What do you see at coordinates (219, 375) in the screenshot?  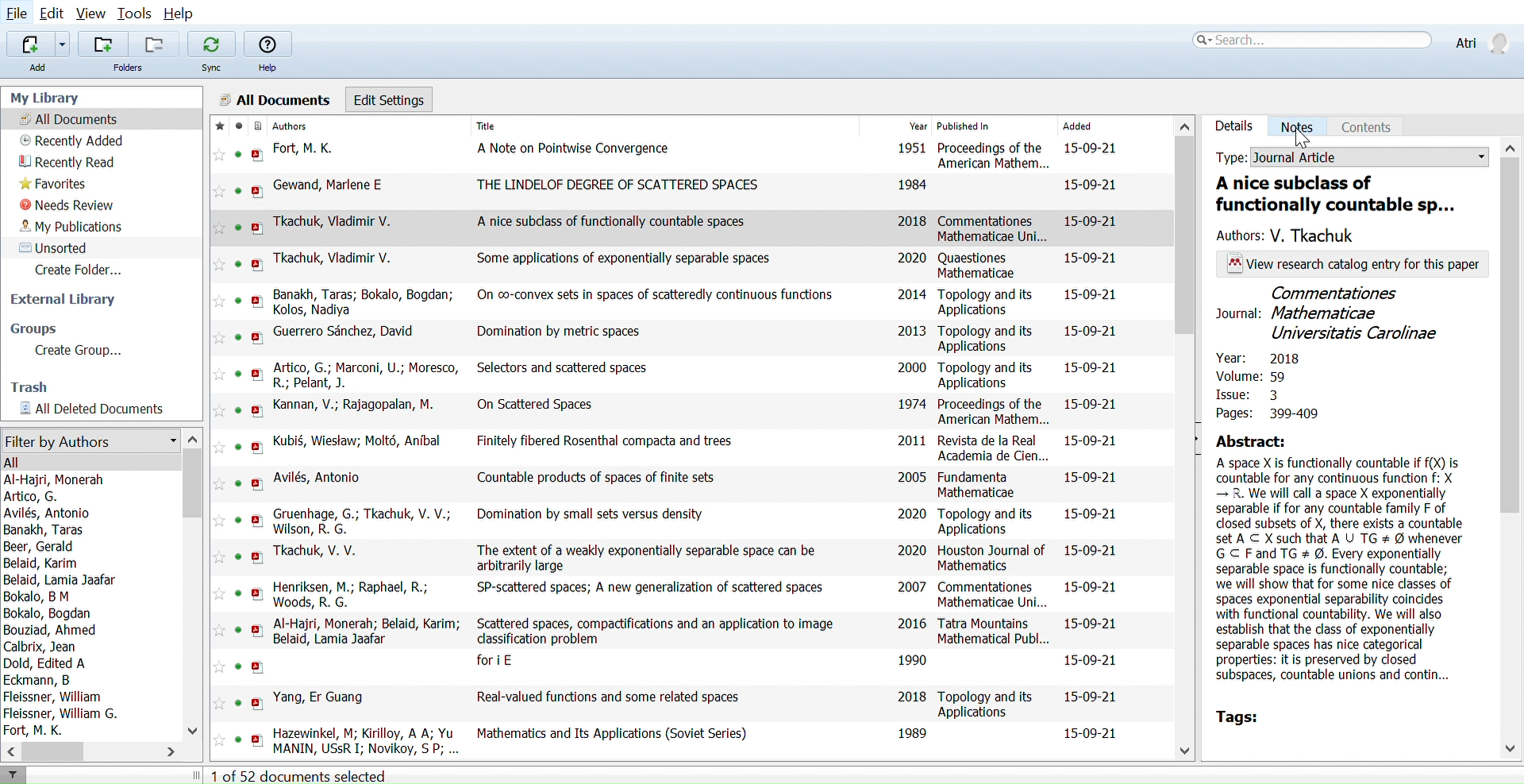 I see `Add this reference to favorites` at bounding box center [219, 375].